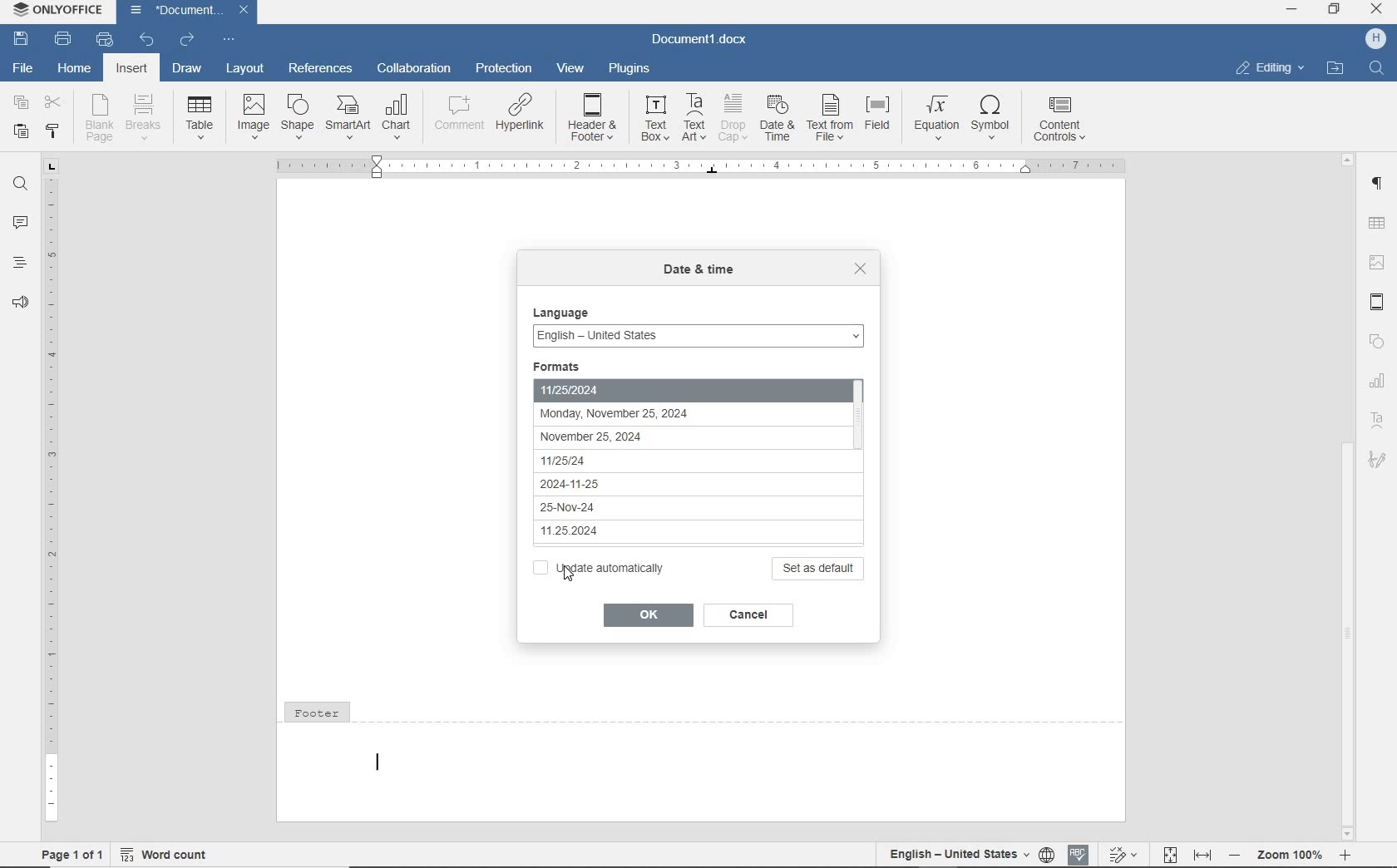 Image resolution: width=1397 pixels, height=868 pixels. What do you see at coordinates (1347, 856) in the screenshot?
I see `zoom in` at bounding box center [1347, 856].